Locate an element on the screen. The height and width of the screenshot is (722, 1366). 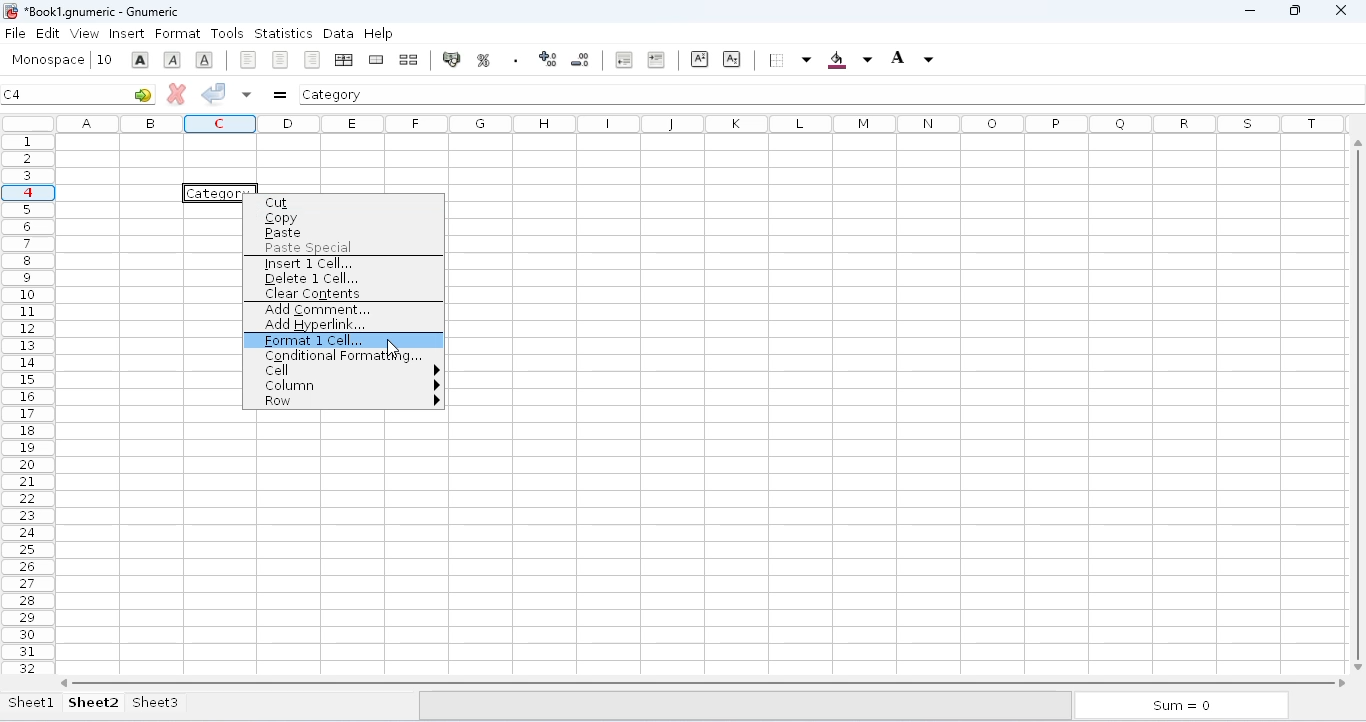
maximize is located at coordinates (1295, 11).